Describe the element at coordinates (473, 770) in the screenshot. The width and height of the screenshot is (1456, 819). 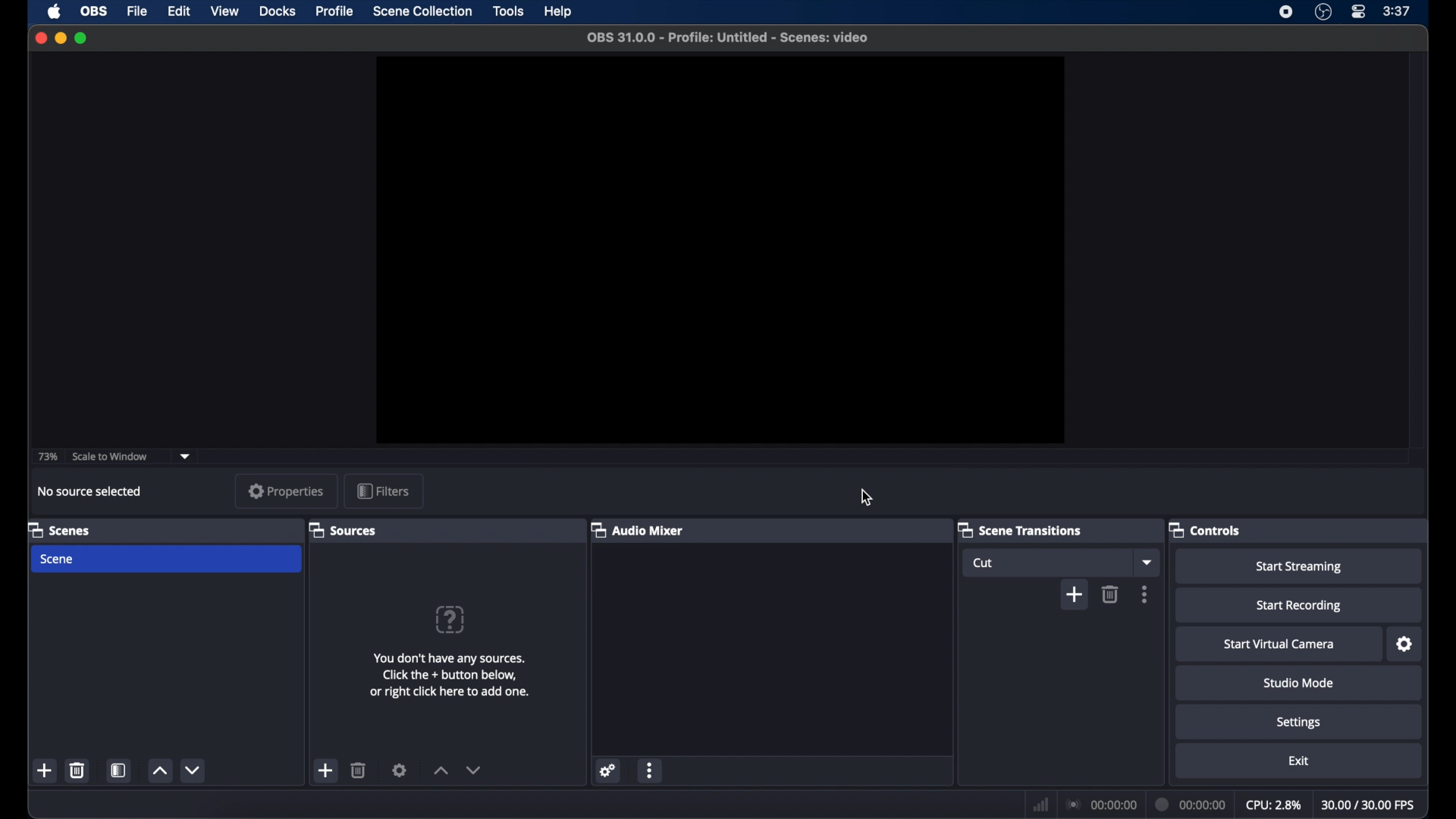
I see `decrement` at that location.